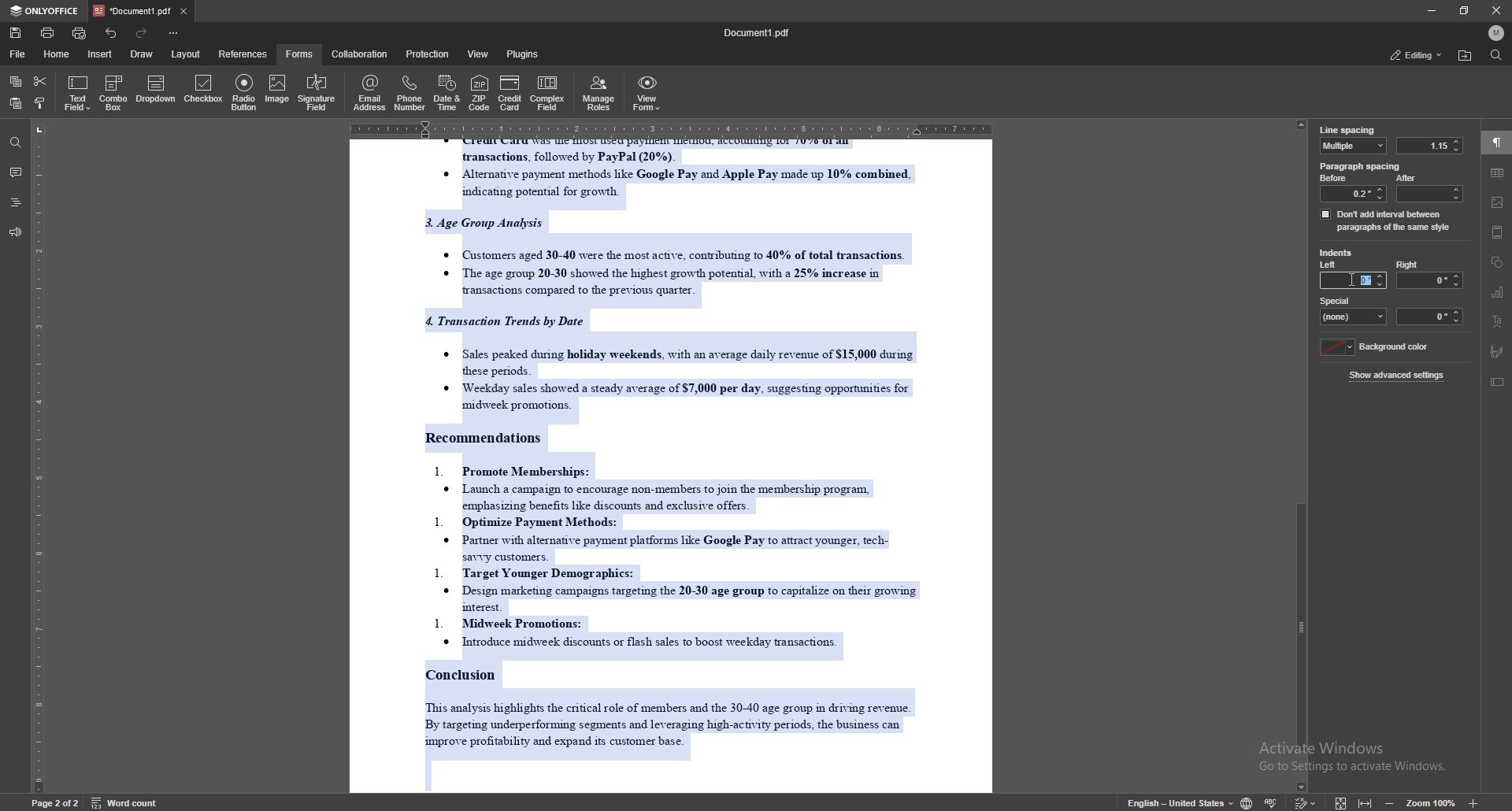 Image resolution: width=1512 pixels, height=811 pixels. I want to click on document, so click(676, 466).